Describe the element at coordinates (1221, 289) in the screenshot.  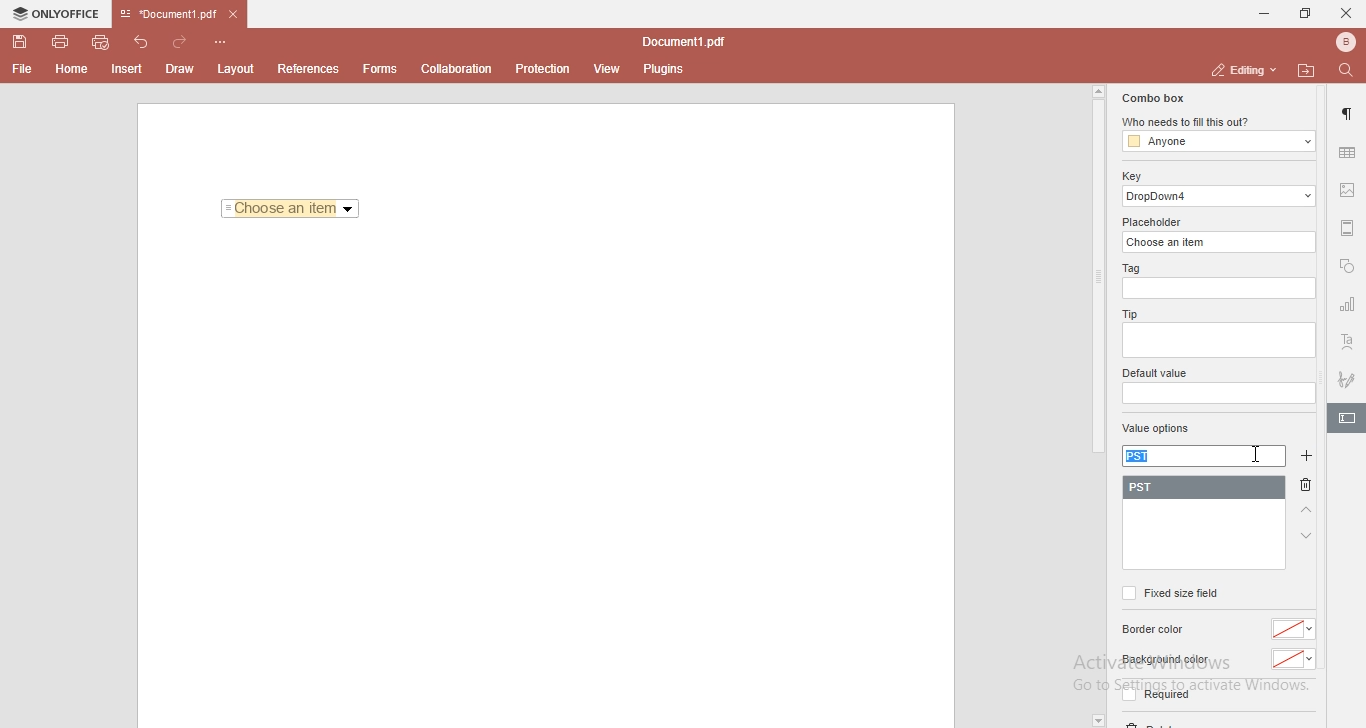
I see `empty box` at that location.